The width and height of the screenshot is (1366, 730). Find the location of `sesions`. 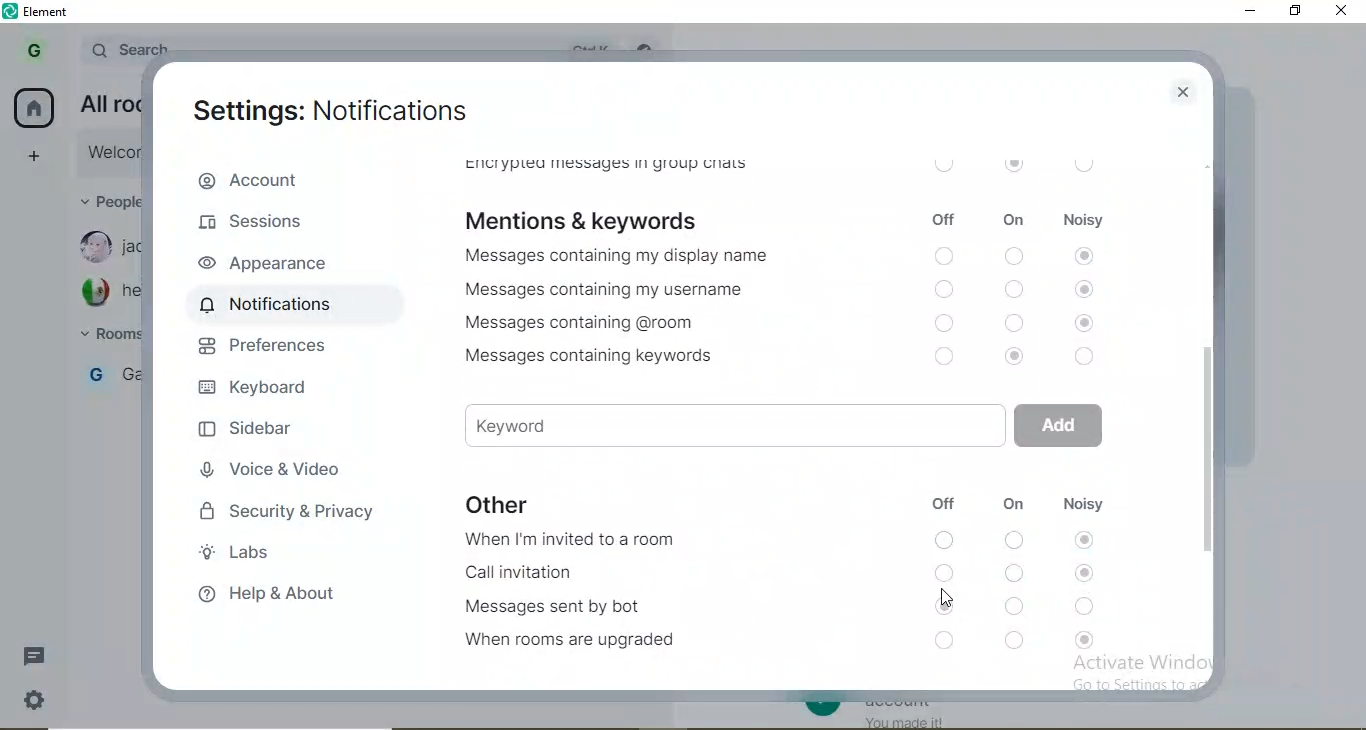

sesions is located at coordinates (262, 226).